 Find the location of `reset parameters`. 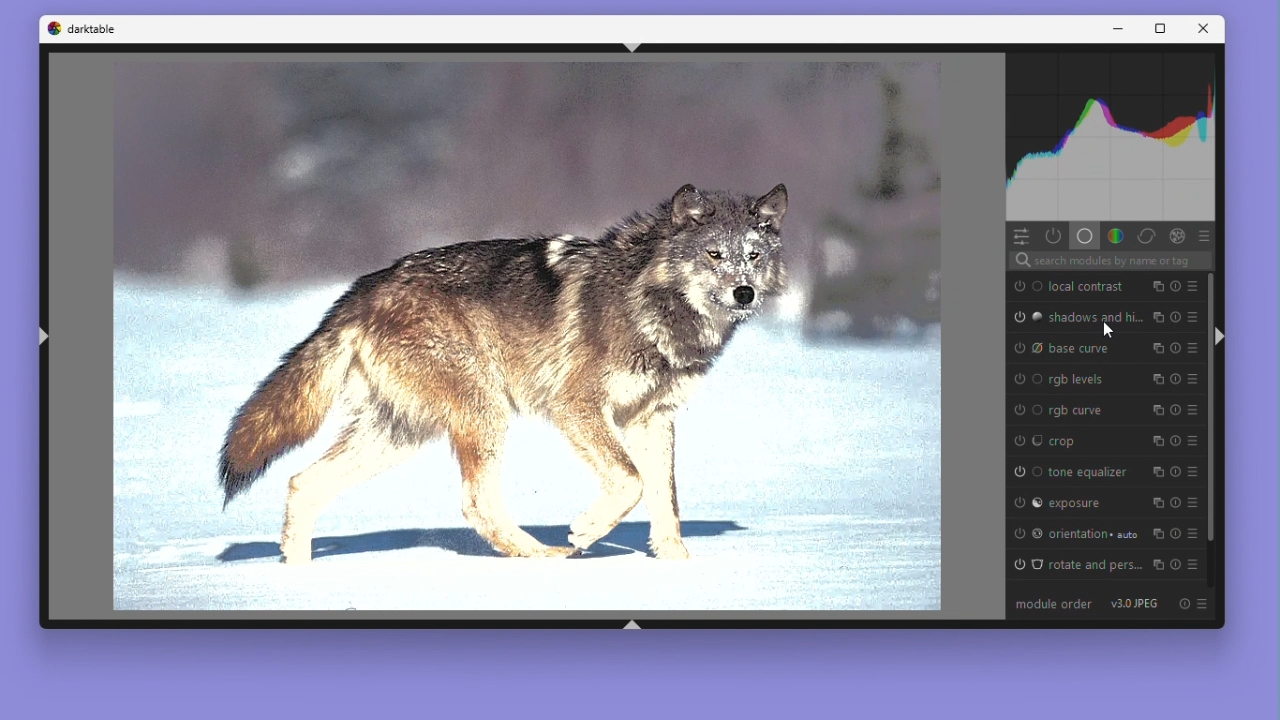

reset parameters is located at coordinates (1175, 348).